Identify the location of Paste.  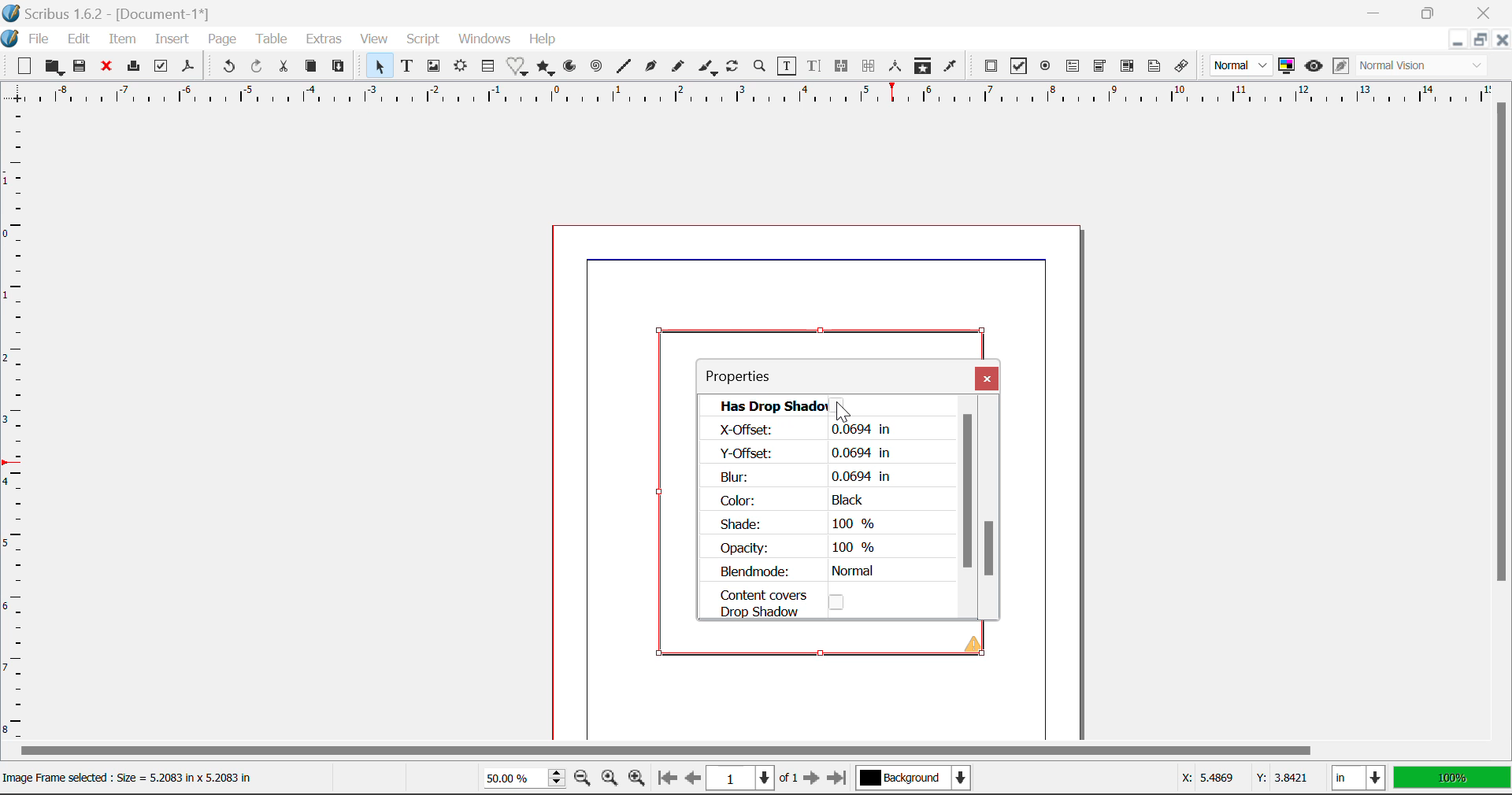
(341, 69).